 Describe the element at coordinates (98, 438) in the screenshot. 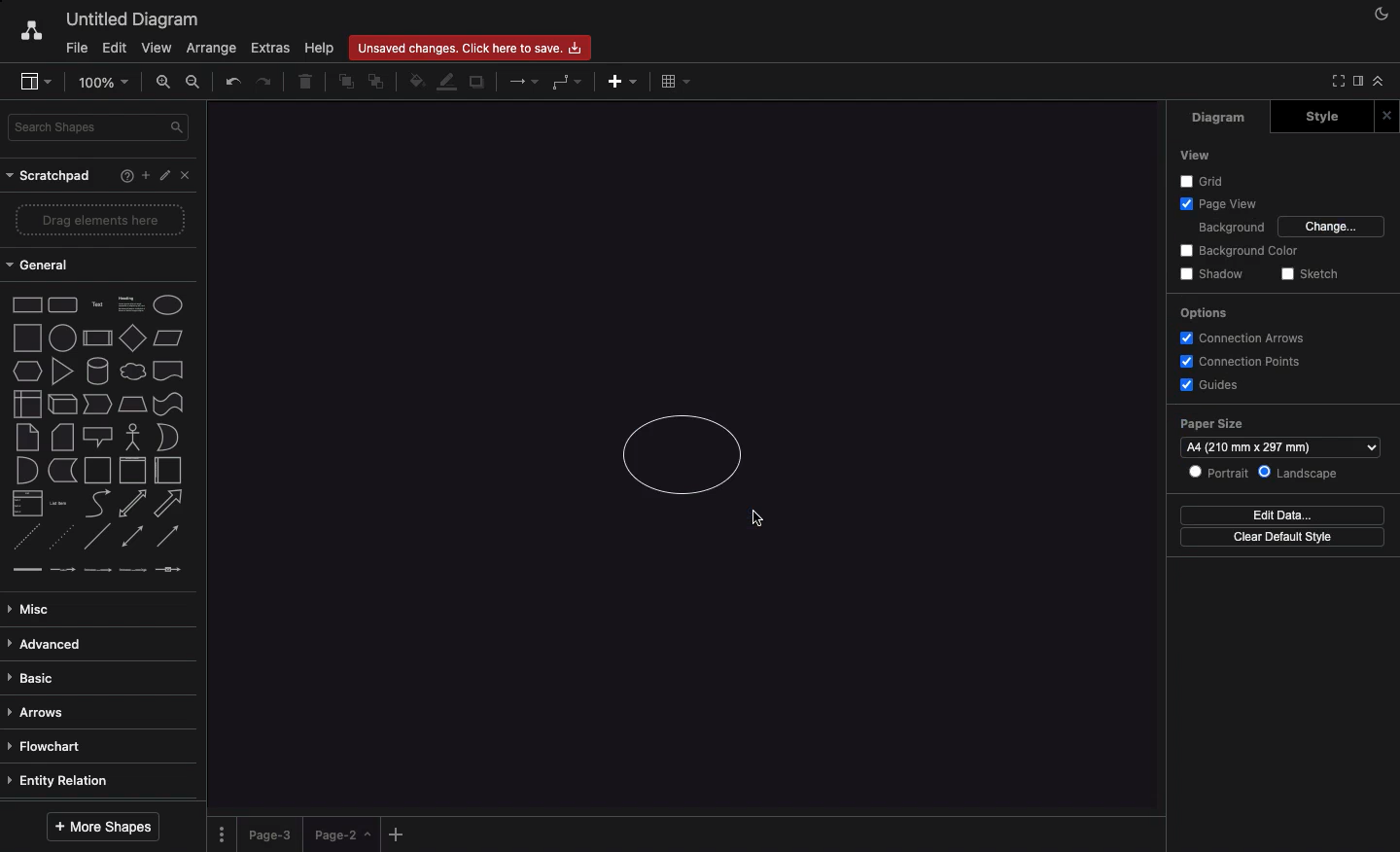

I see `callout` at that location.